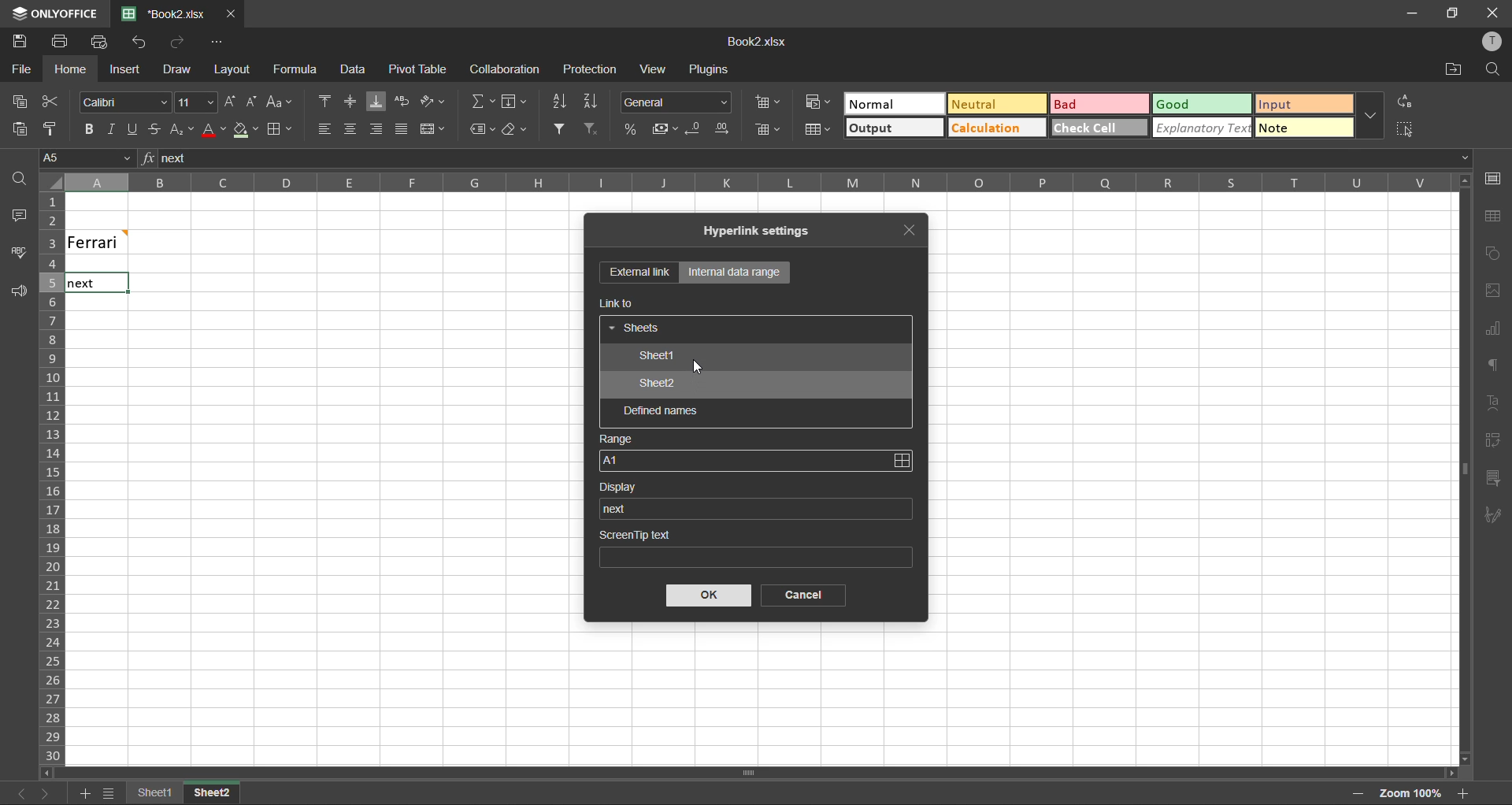 This screenshot has width=1512, height=805. Describe the element at coordinates (50, 101) in the screenshot. I see `cut` at that location.